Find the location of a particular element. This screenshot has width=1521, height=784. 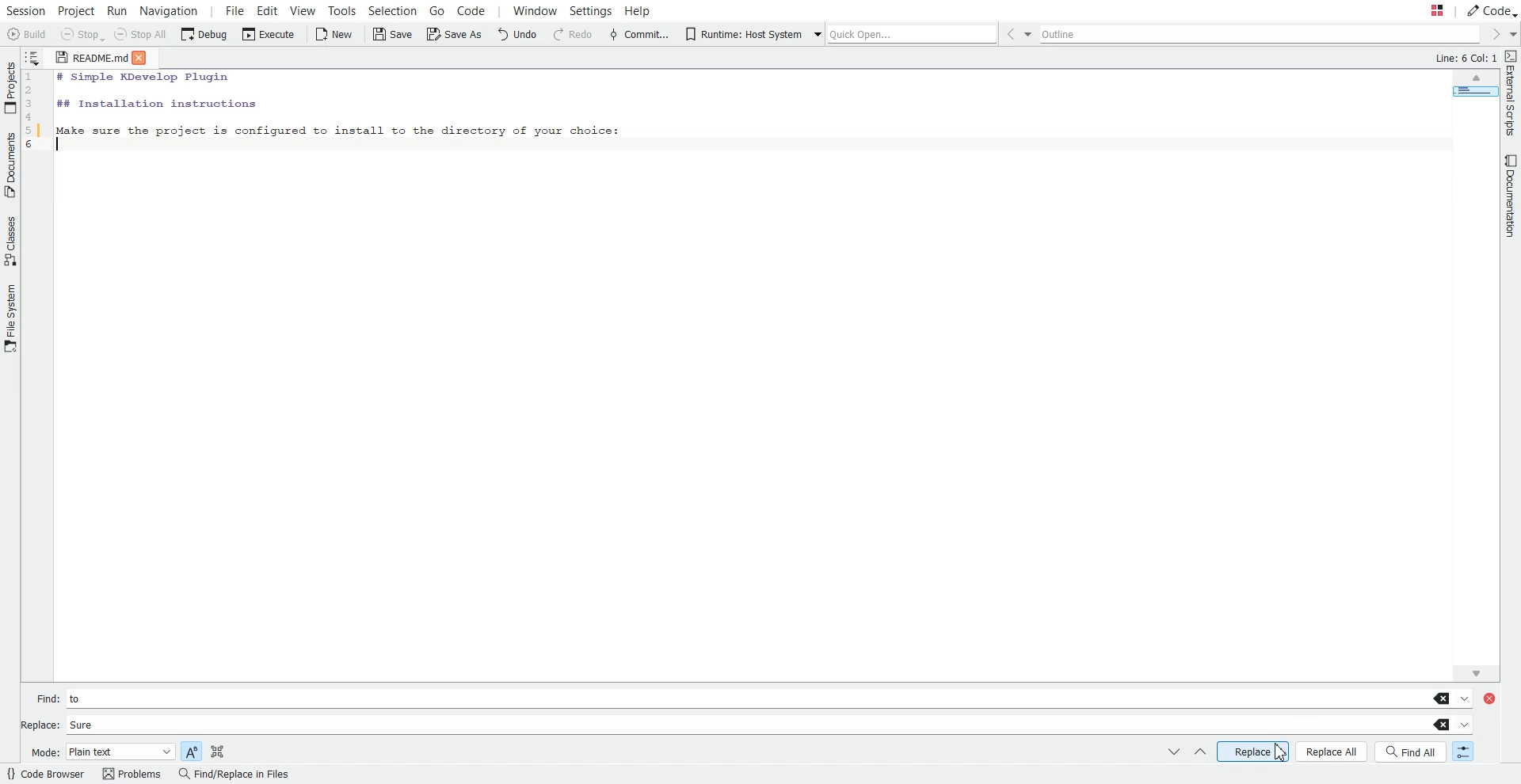

Outline is located at coordinates (1263, 35).